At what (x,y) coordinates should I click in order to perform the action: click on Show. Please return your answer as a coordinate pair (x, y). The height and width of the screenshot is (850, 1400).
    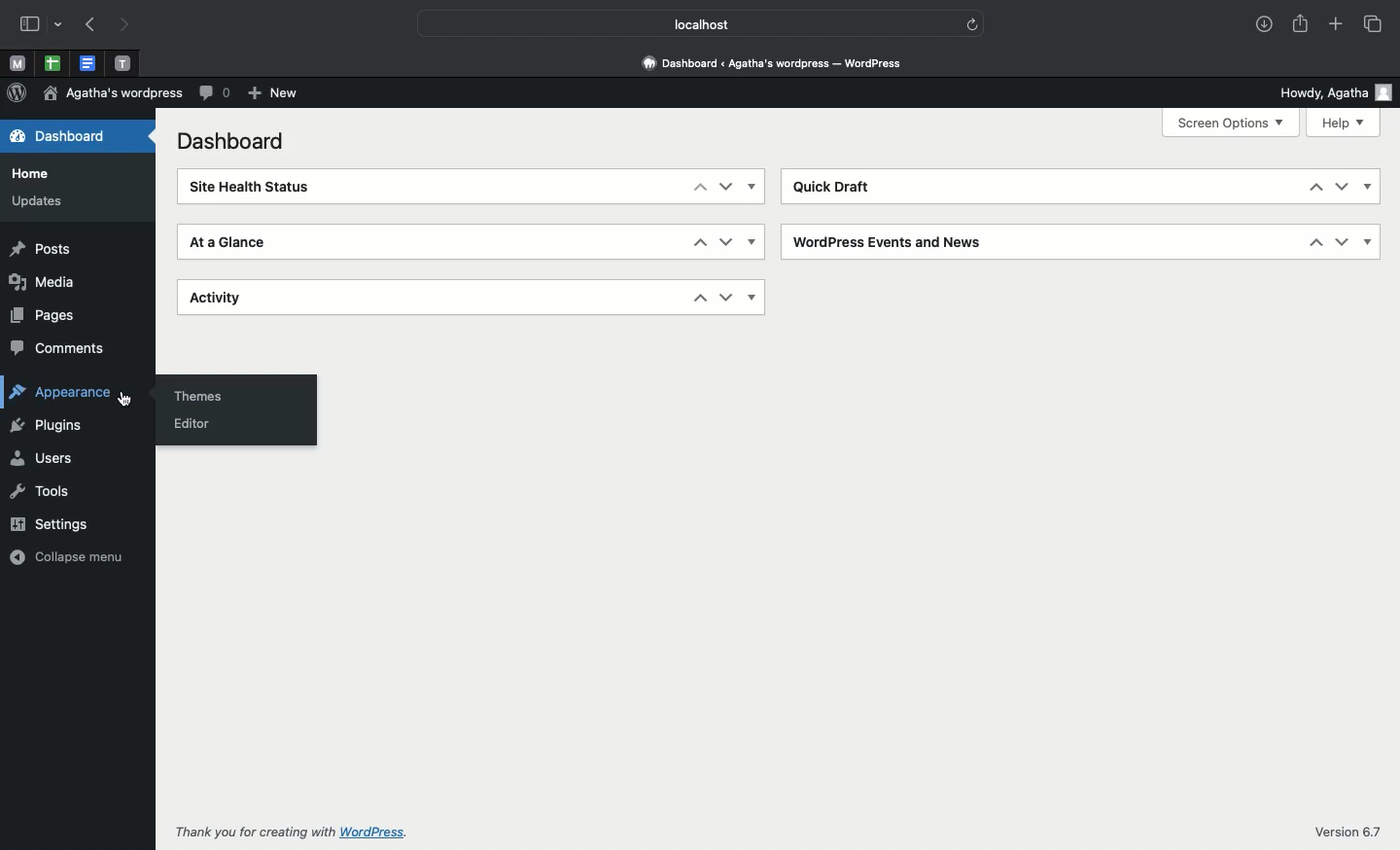
    Looking at the image, I should click on (753, 243).